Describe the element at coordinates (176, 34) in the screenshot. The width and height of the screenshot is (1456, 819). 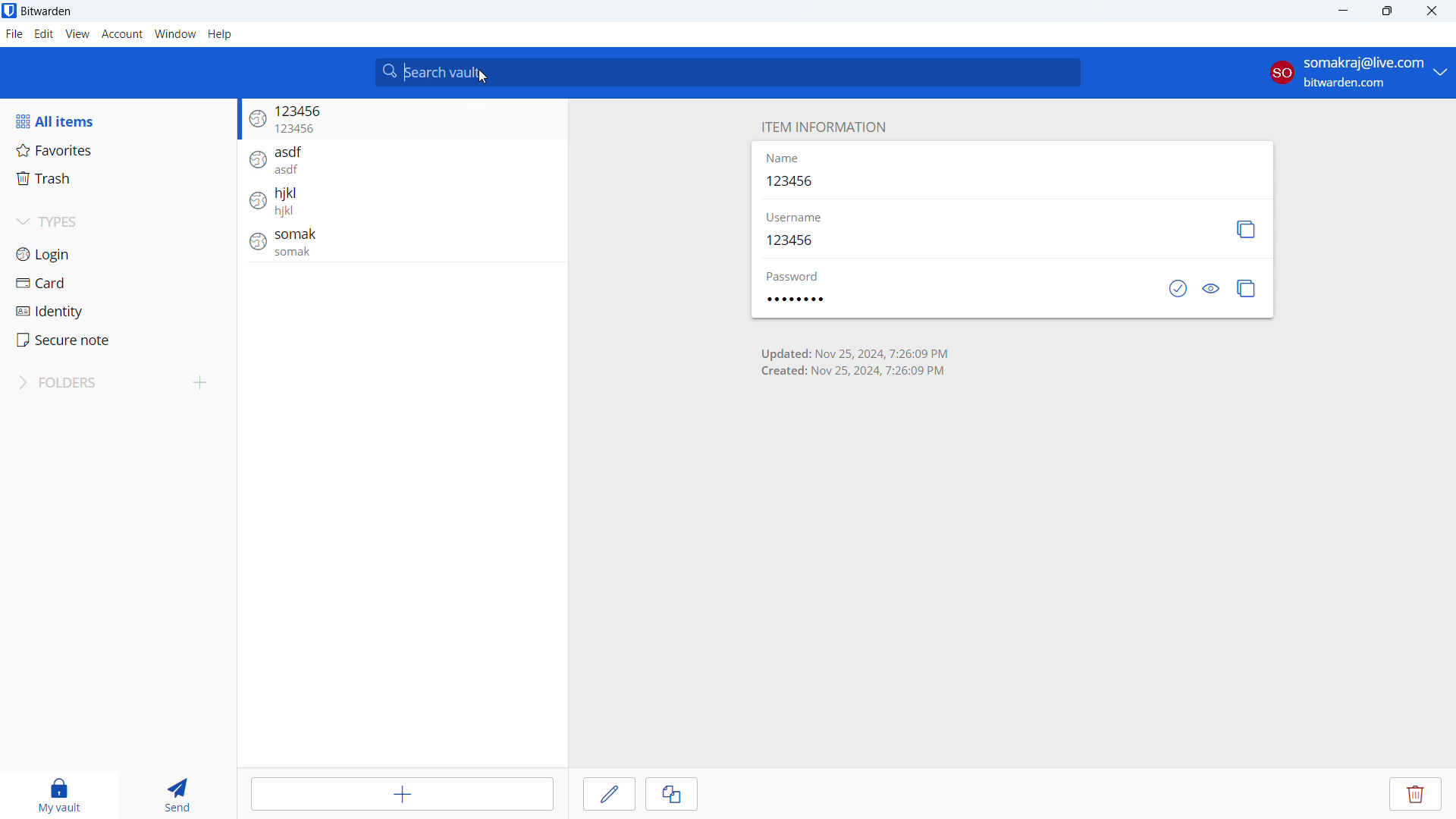
I see `window` at that location.